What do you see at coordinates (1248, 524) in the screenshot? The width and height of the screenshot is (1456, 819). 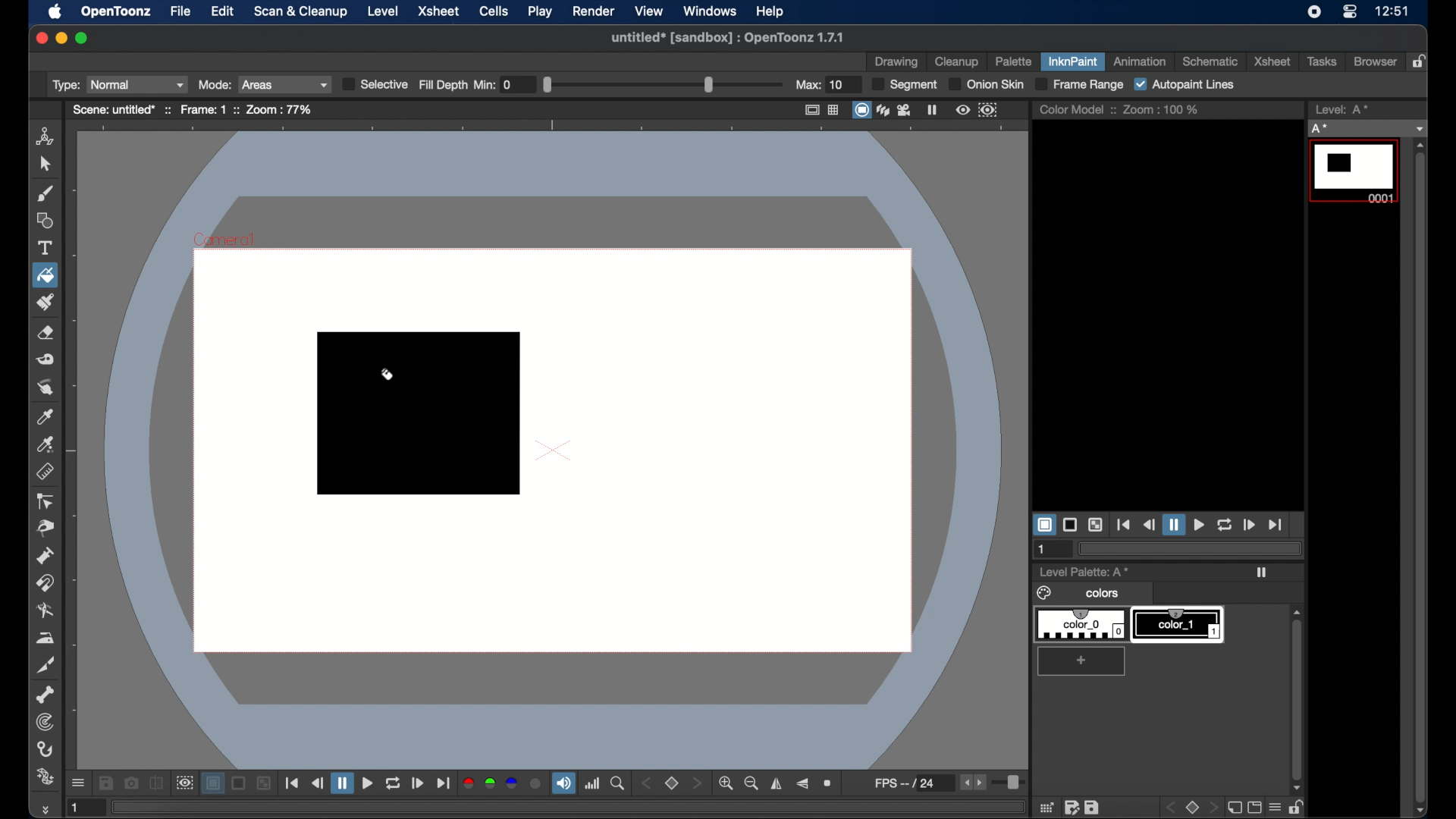 I see `forward` at bounding box center [1248, 524].